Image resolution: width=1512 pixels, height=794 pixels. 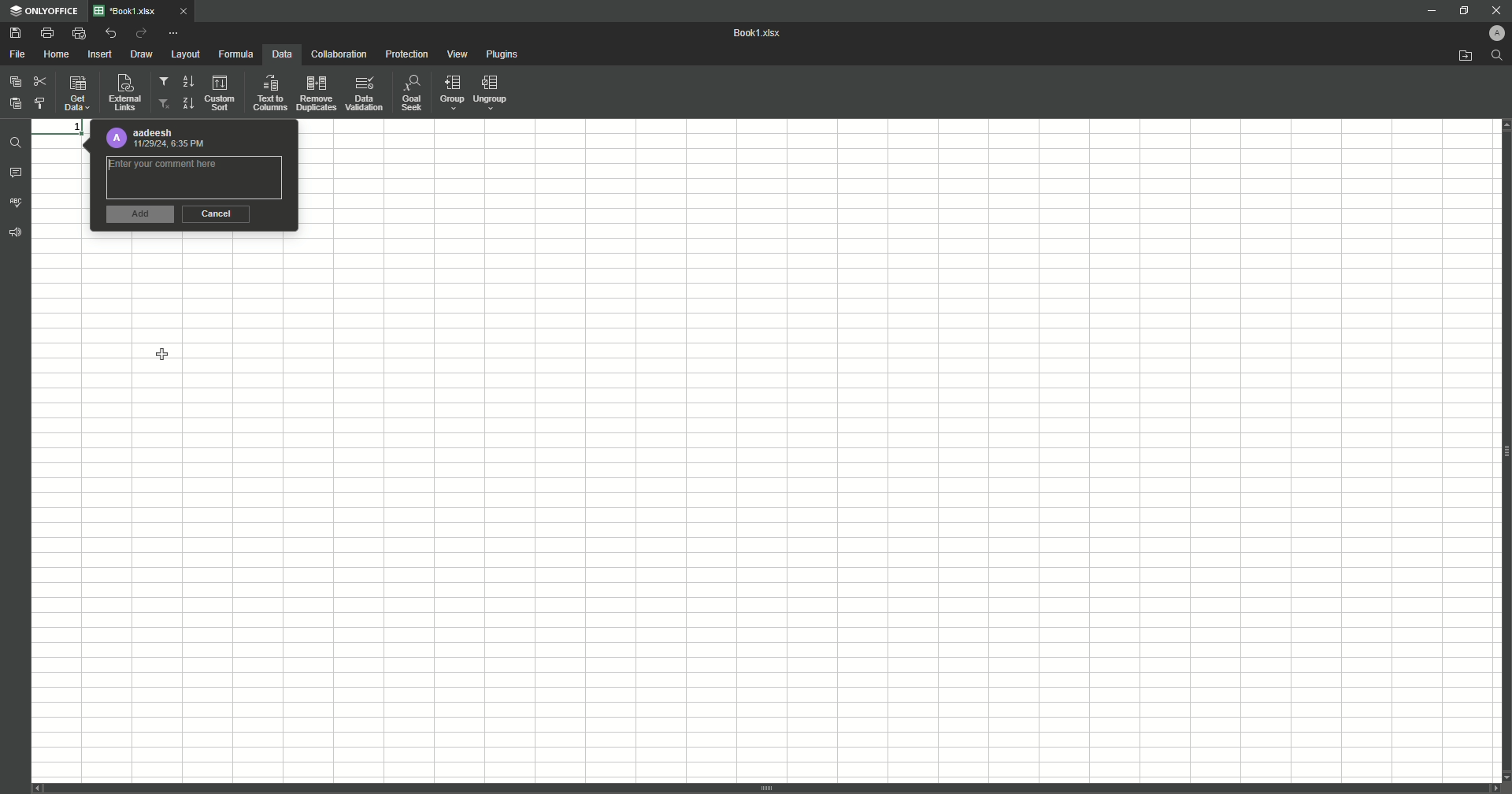 I want to click on , so click(x=495, y=93).